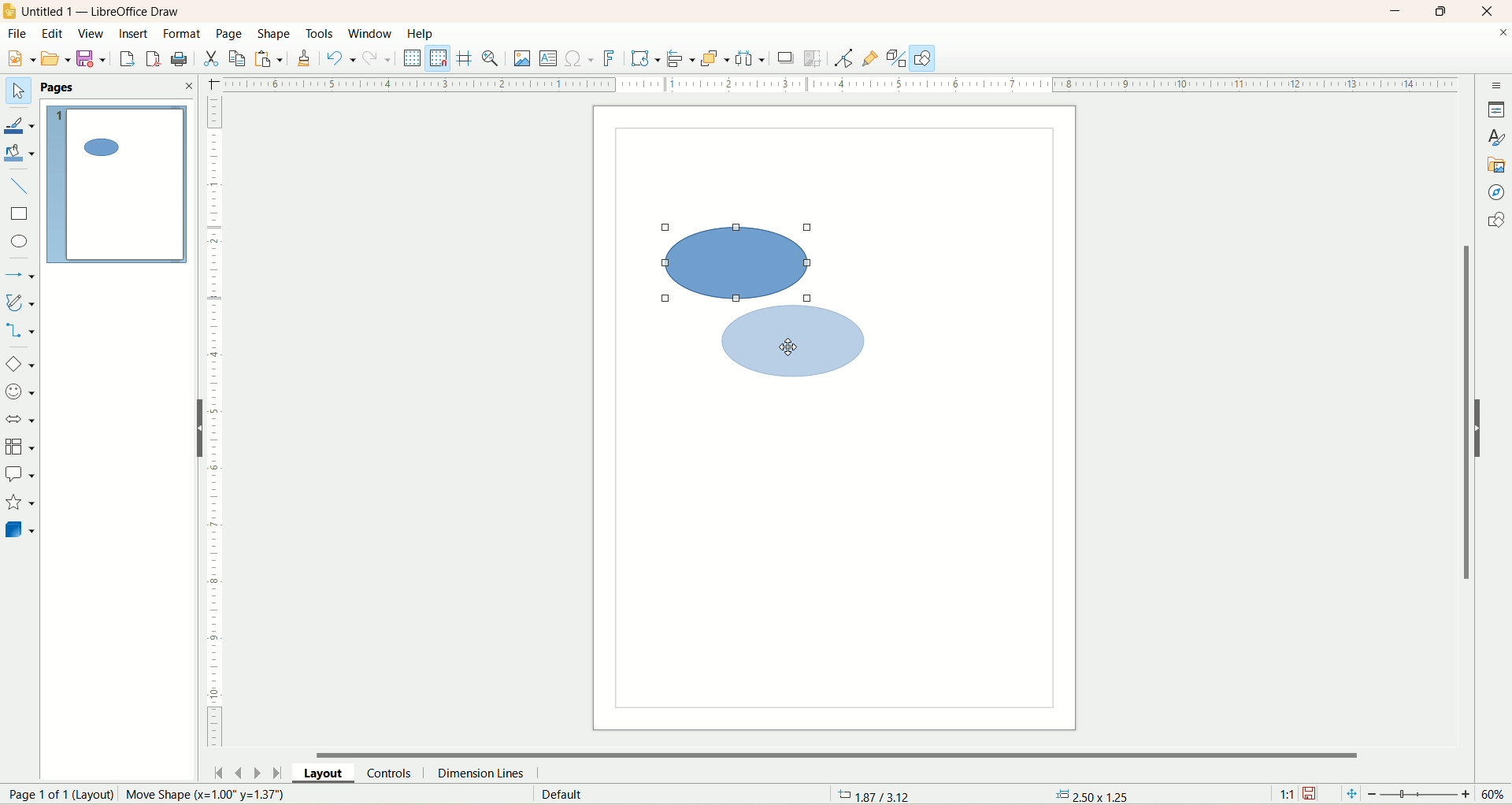 The width and height of the screenshot is (1512, 805). Describe the element at coordinates (215, 423) in the screenshot. I see `scale bar` at that location.